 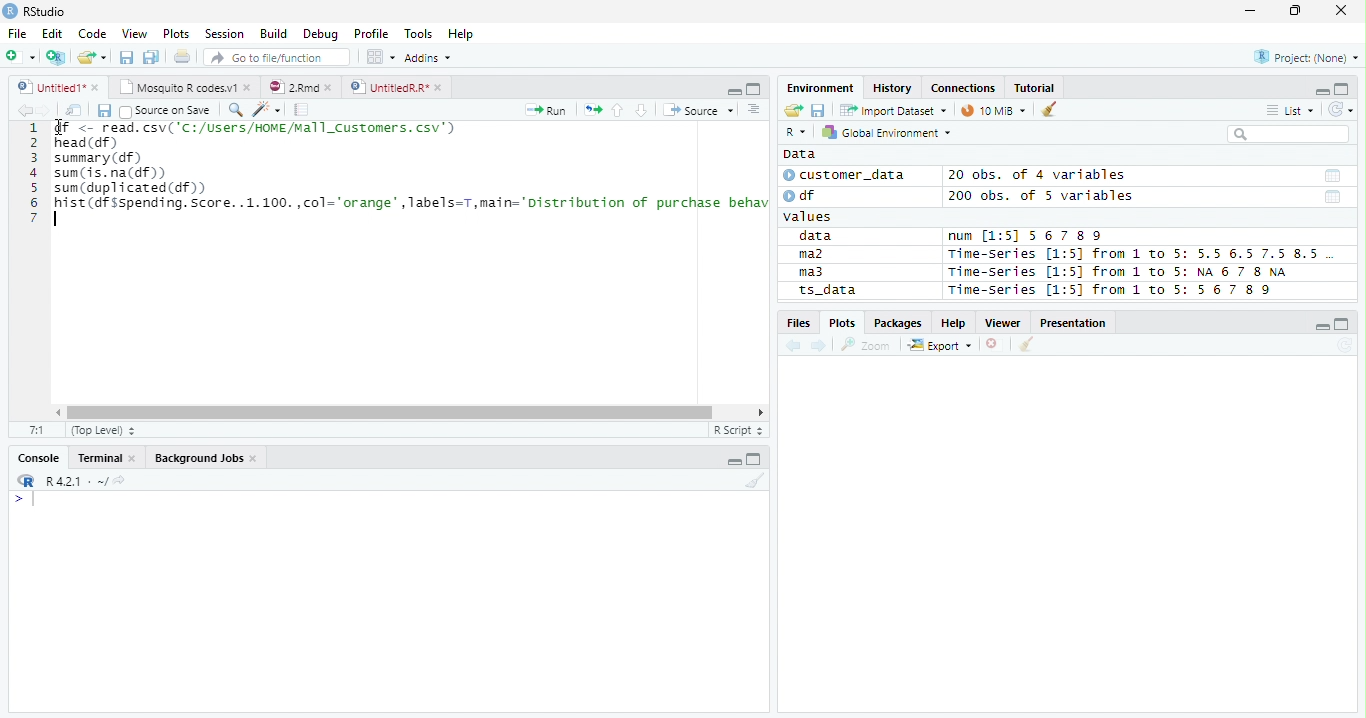 What do you see at coordinates (799, 154) in the screenshot?
I see `Data` at bounding box center [799, 154].